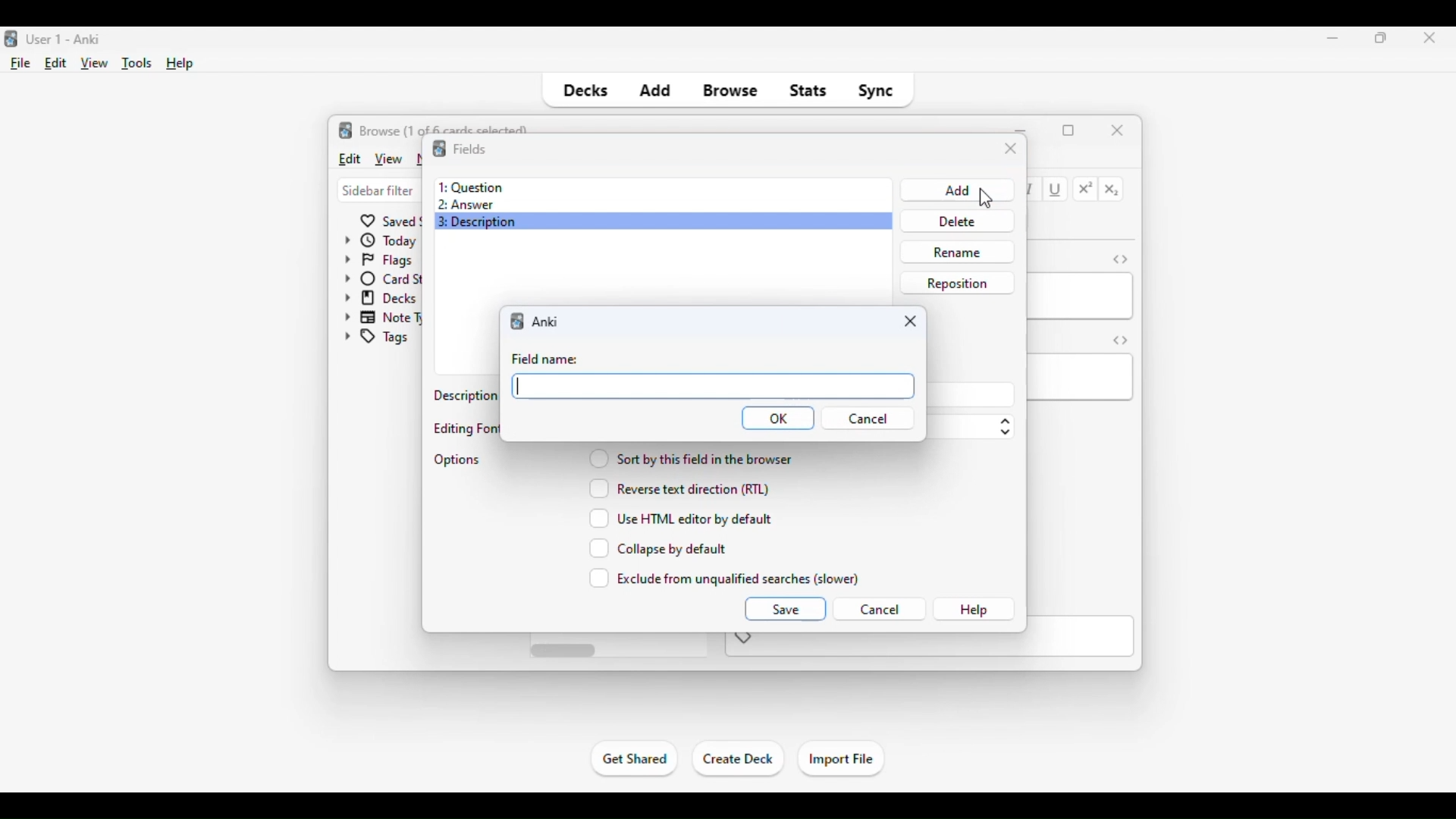 This screenshot has height=819, width=1456. What do you see at coordinates (658, 548) in the screenshot?
I see `collapse by default` at bounding box center [658, 548].